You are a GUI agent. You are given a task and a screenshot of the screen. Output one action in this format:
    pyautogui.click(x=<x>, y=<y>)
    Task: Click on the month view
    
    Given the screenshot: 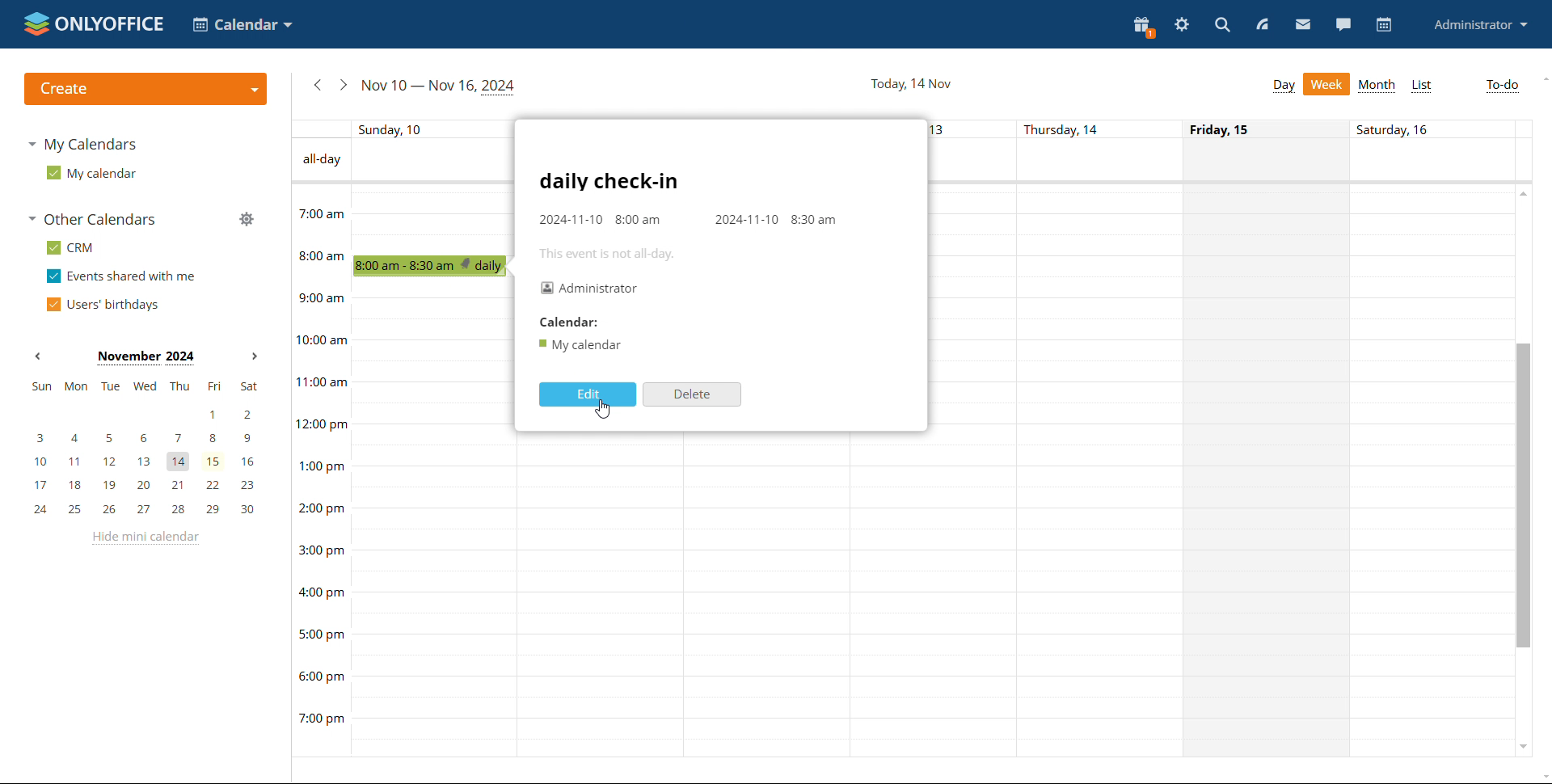 What is the action you would take?
    pyautogui.click(x=1376, y=86)
    